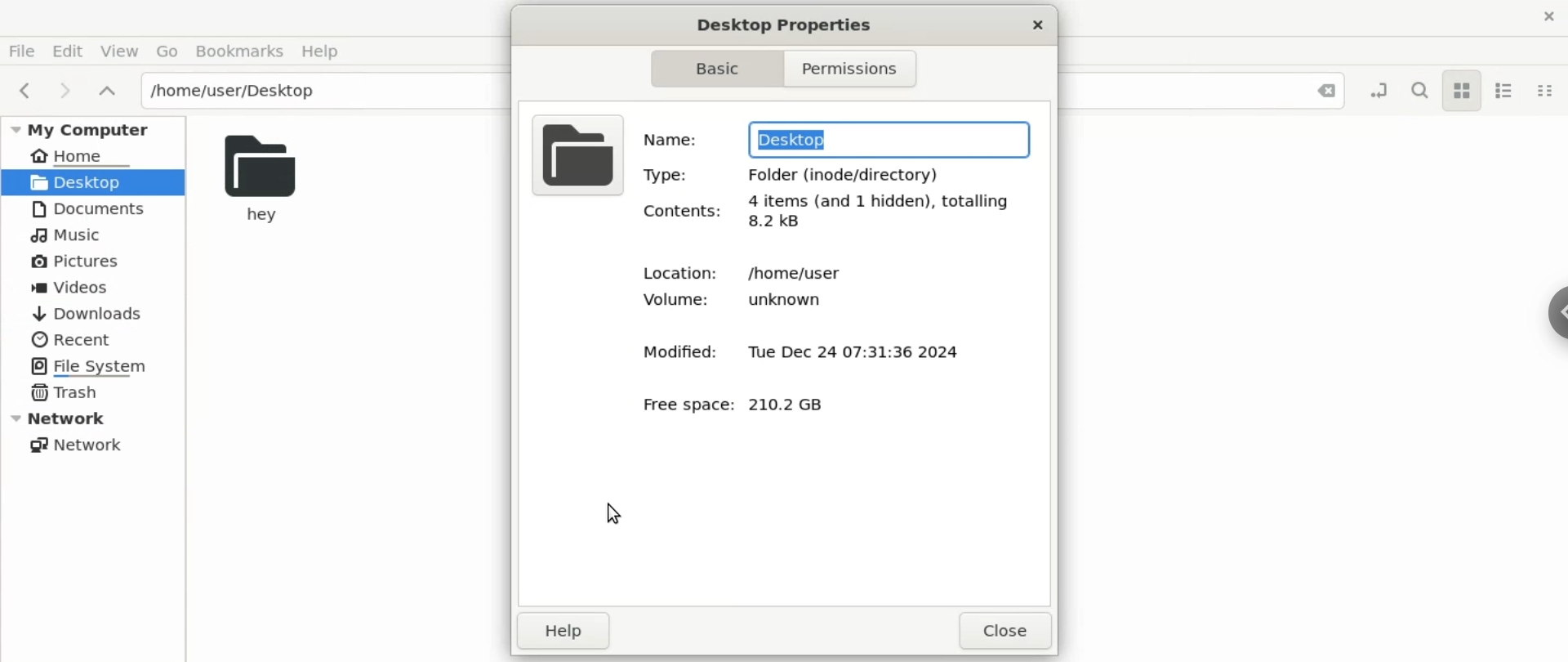  I want to click on Name , so click(672, 138).